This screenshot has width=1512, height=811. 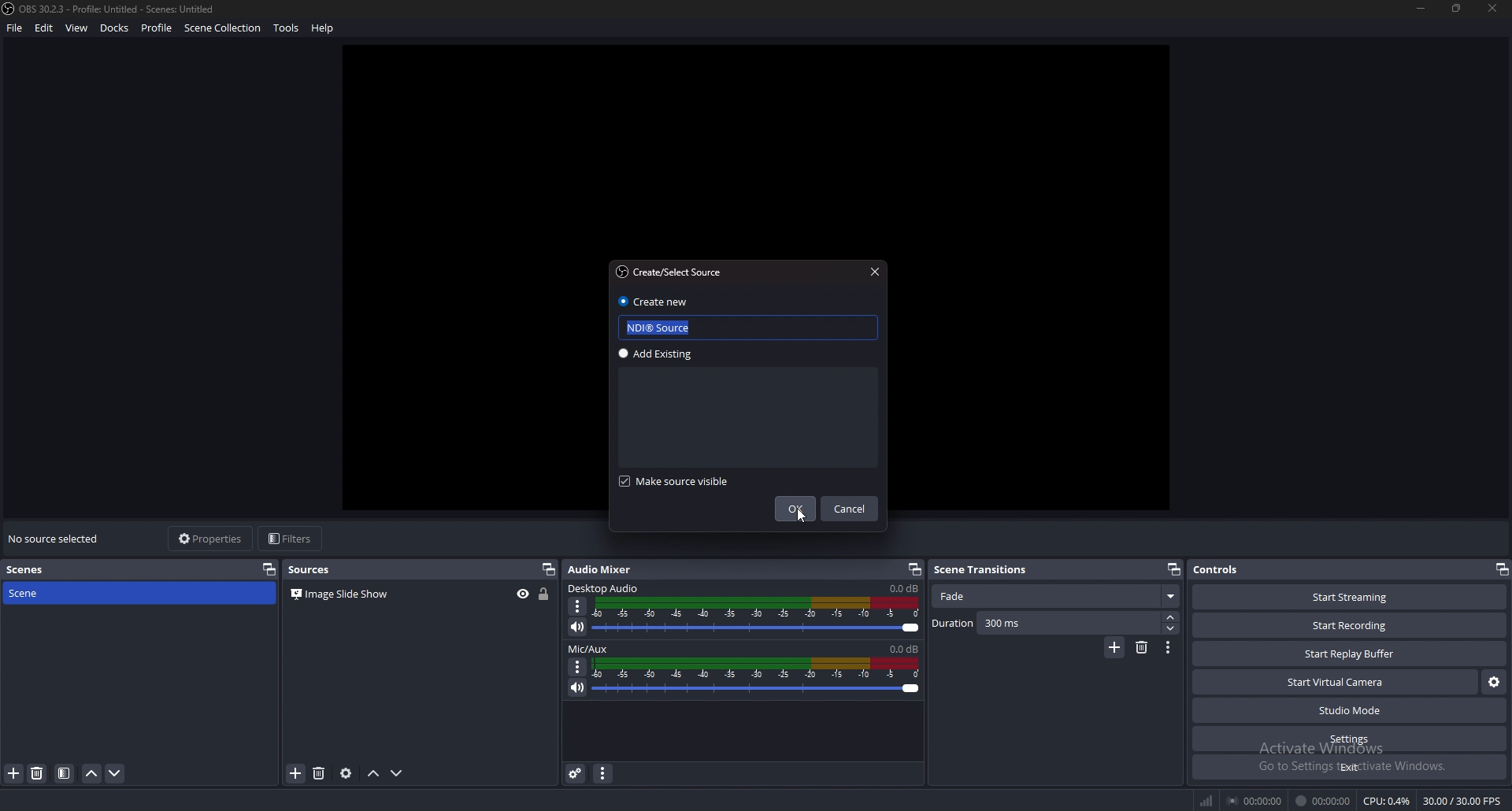 What do you see at coordinates (1348, 654) in the screenshot?
I see `start replay buffer` at bounding box center [1348, 654].